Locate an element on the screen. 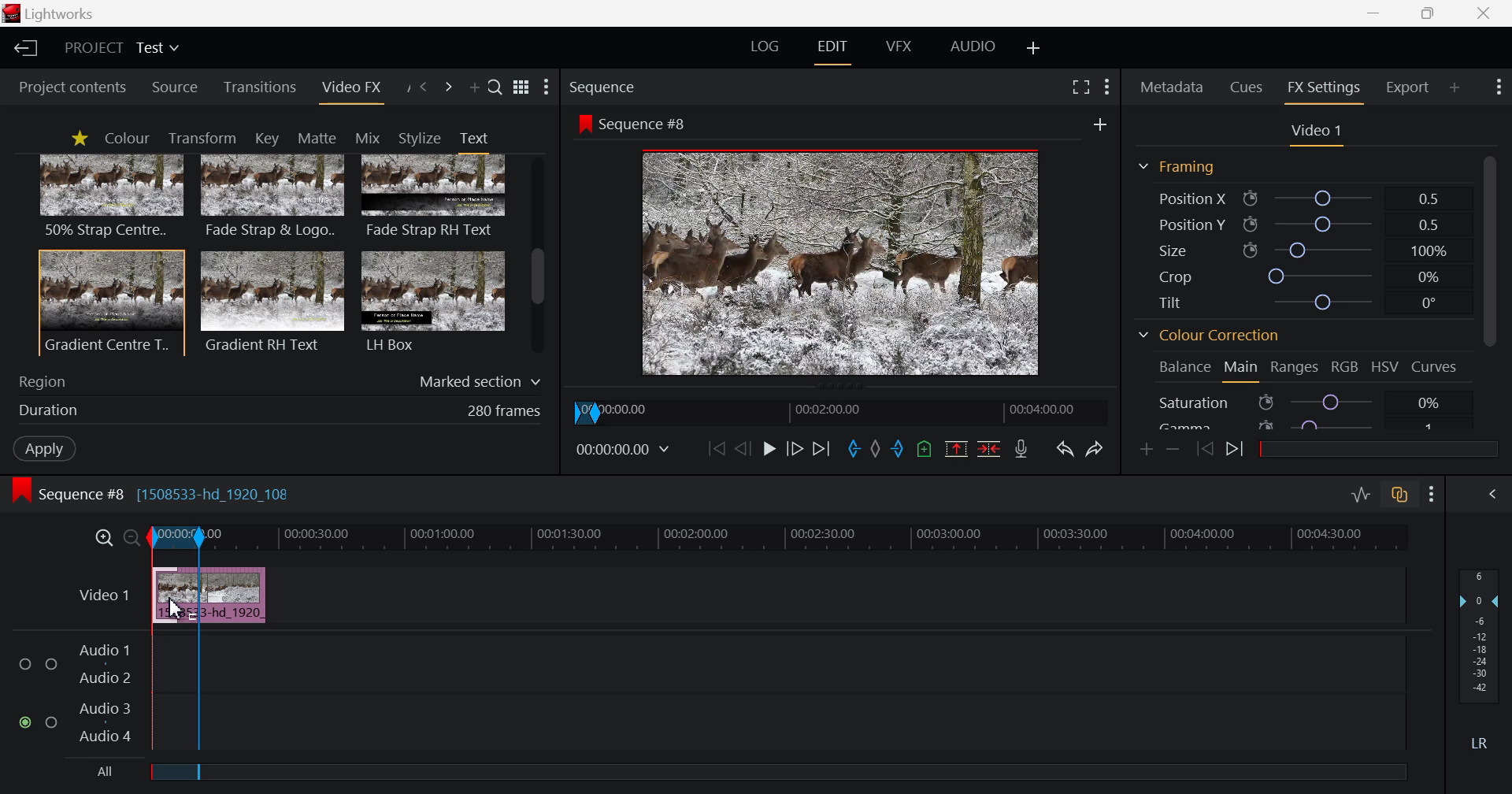 This screenshot has width=1512, height=794. Gradient RH Text is located at coordinates (269, 301).